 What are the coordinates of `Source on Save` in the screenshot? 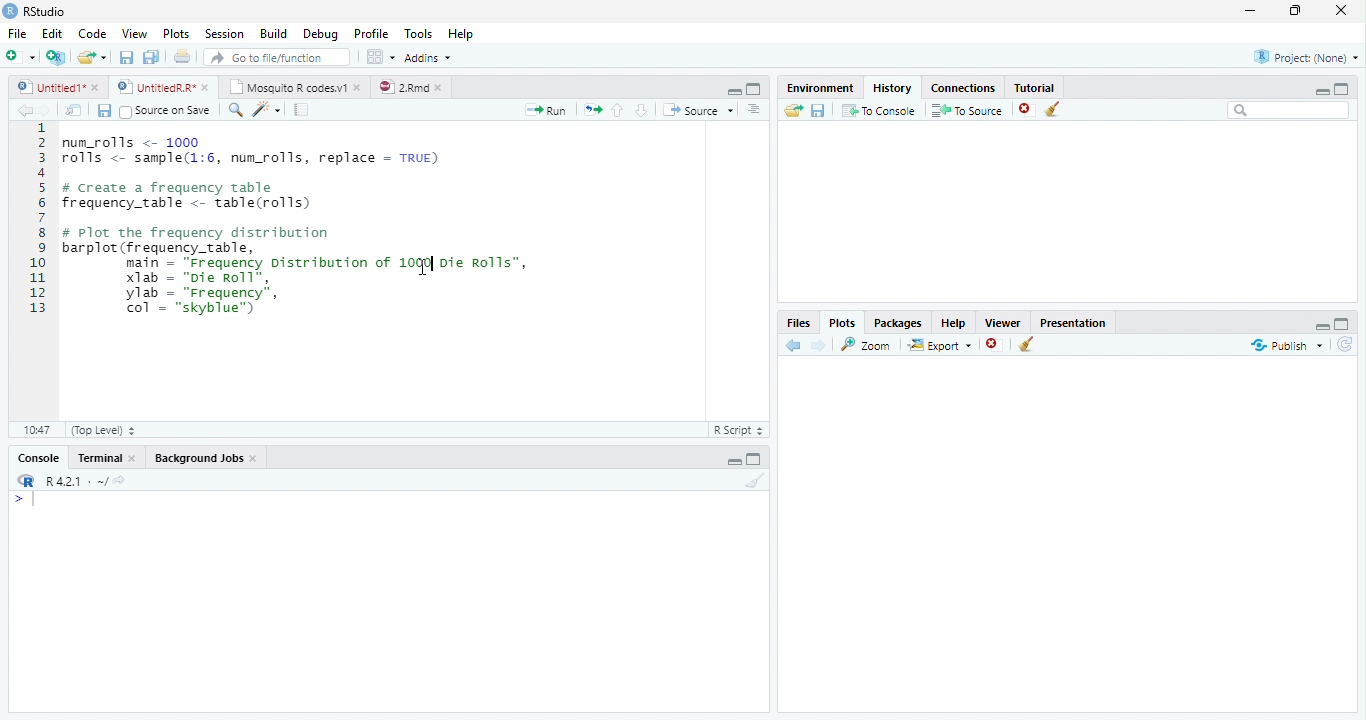 It's located at (165, 111).